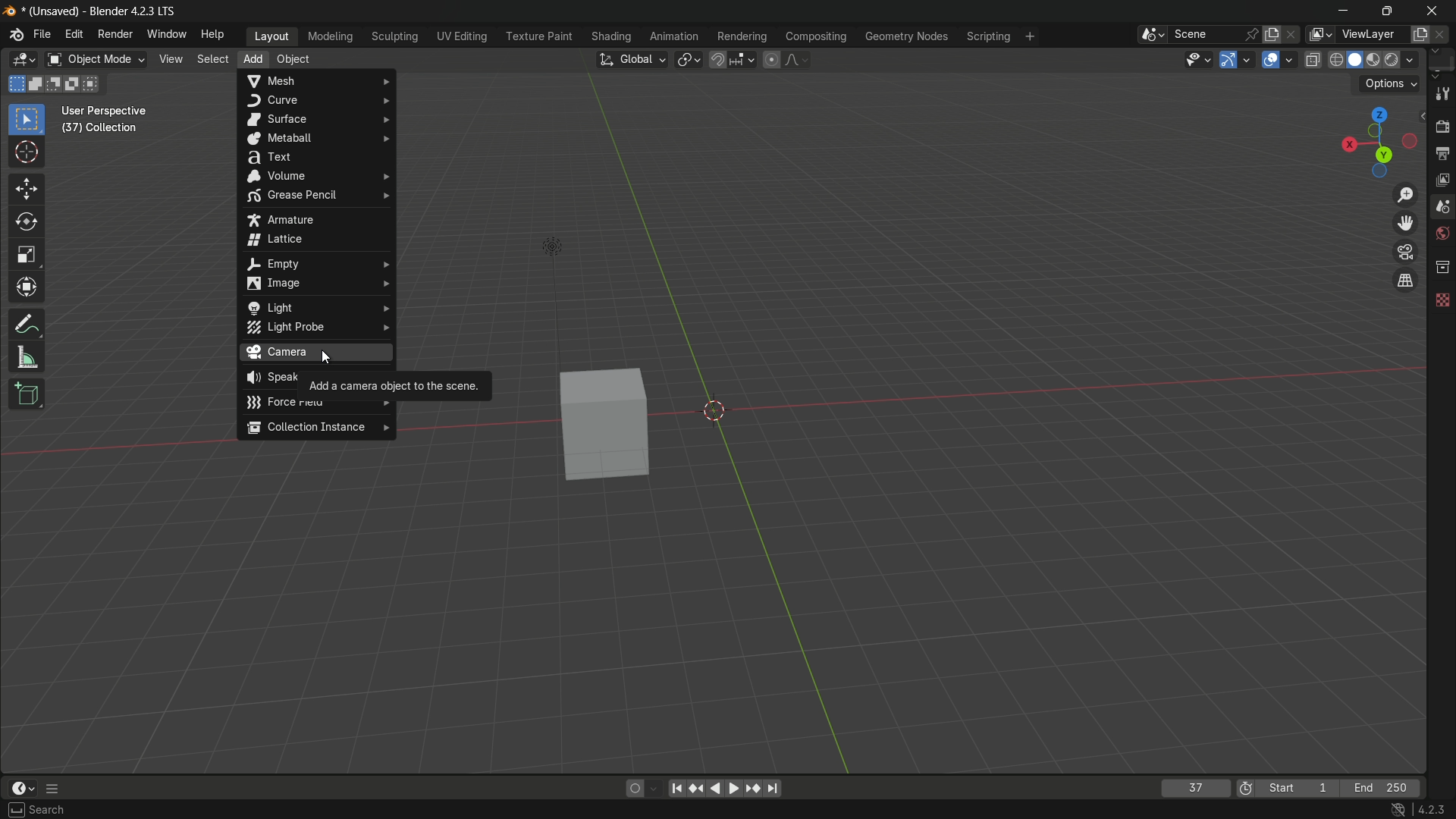  I want to click on mesh, so click(319, 80).